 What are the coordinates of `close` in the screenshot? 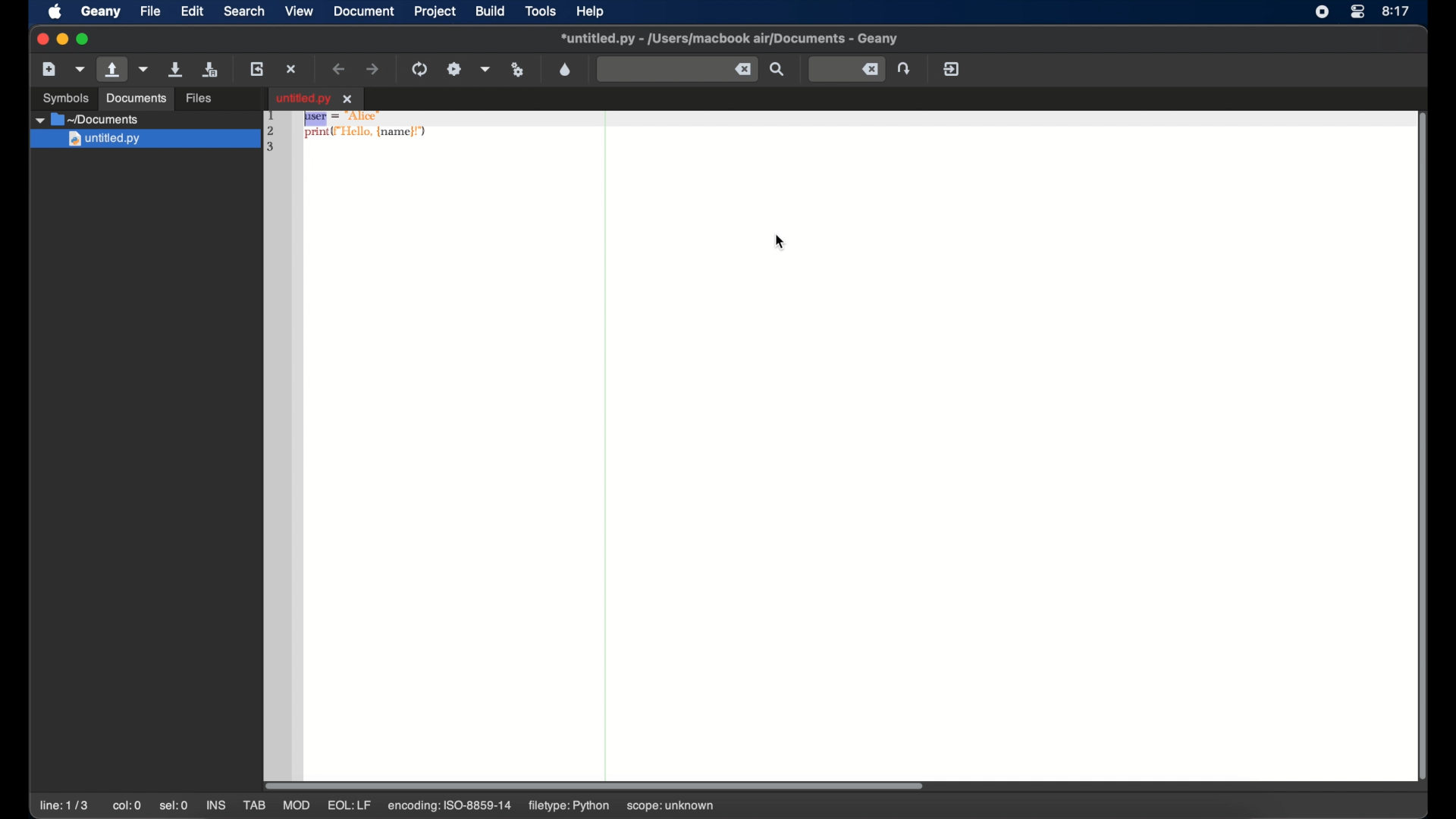 It's located at (41, 38).